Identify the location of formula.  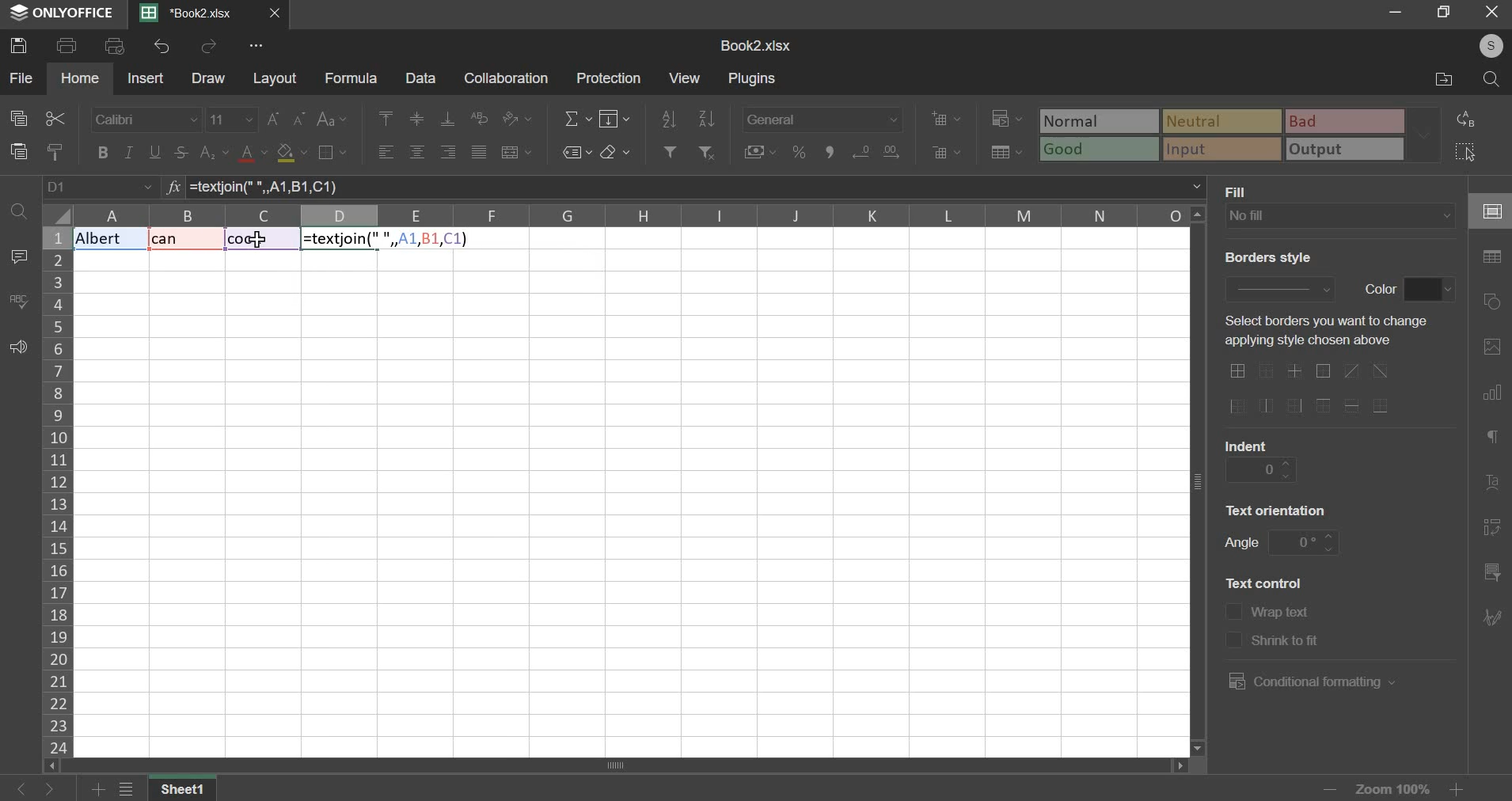
(382, 240).